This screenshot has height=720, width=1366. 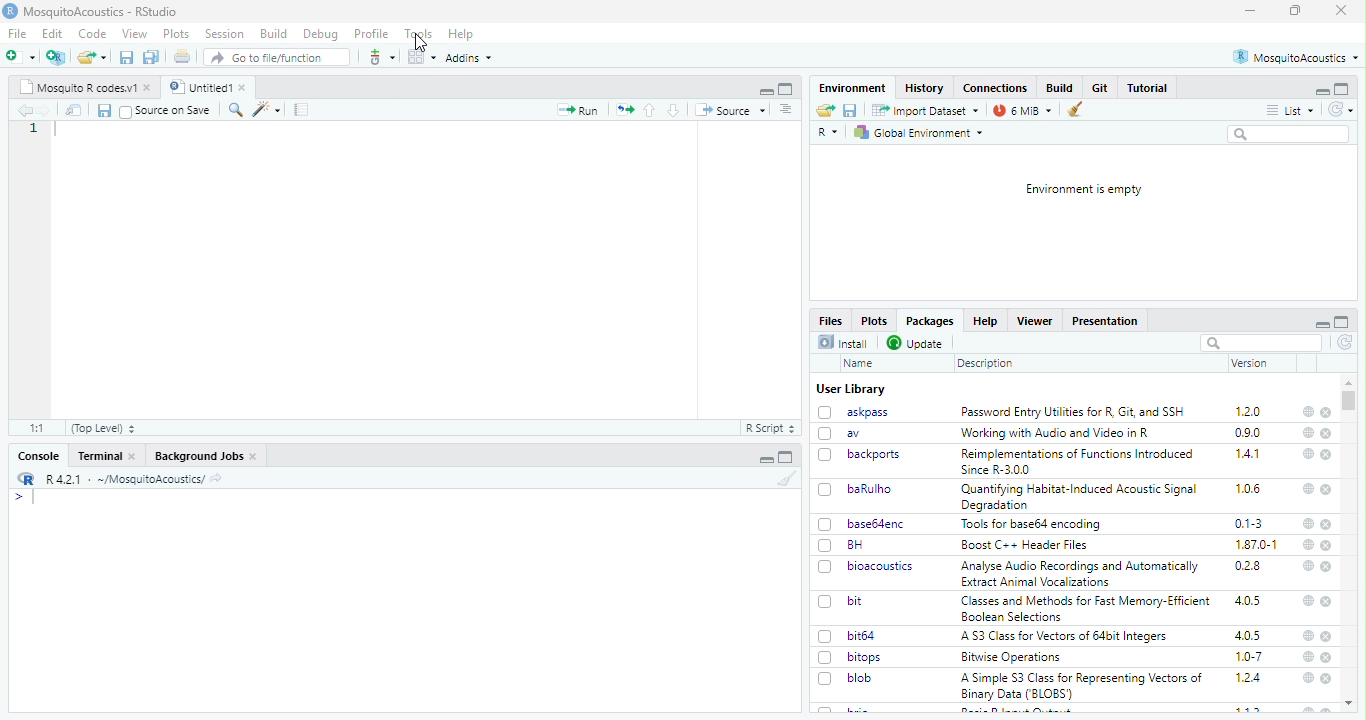 I want to click on maiximize, so click(x=787, y=457).